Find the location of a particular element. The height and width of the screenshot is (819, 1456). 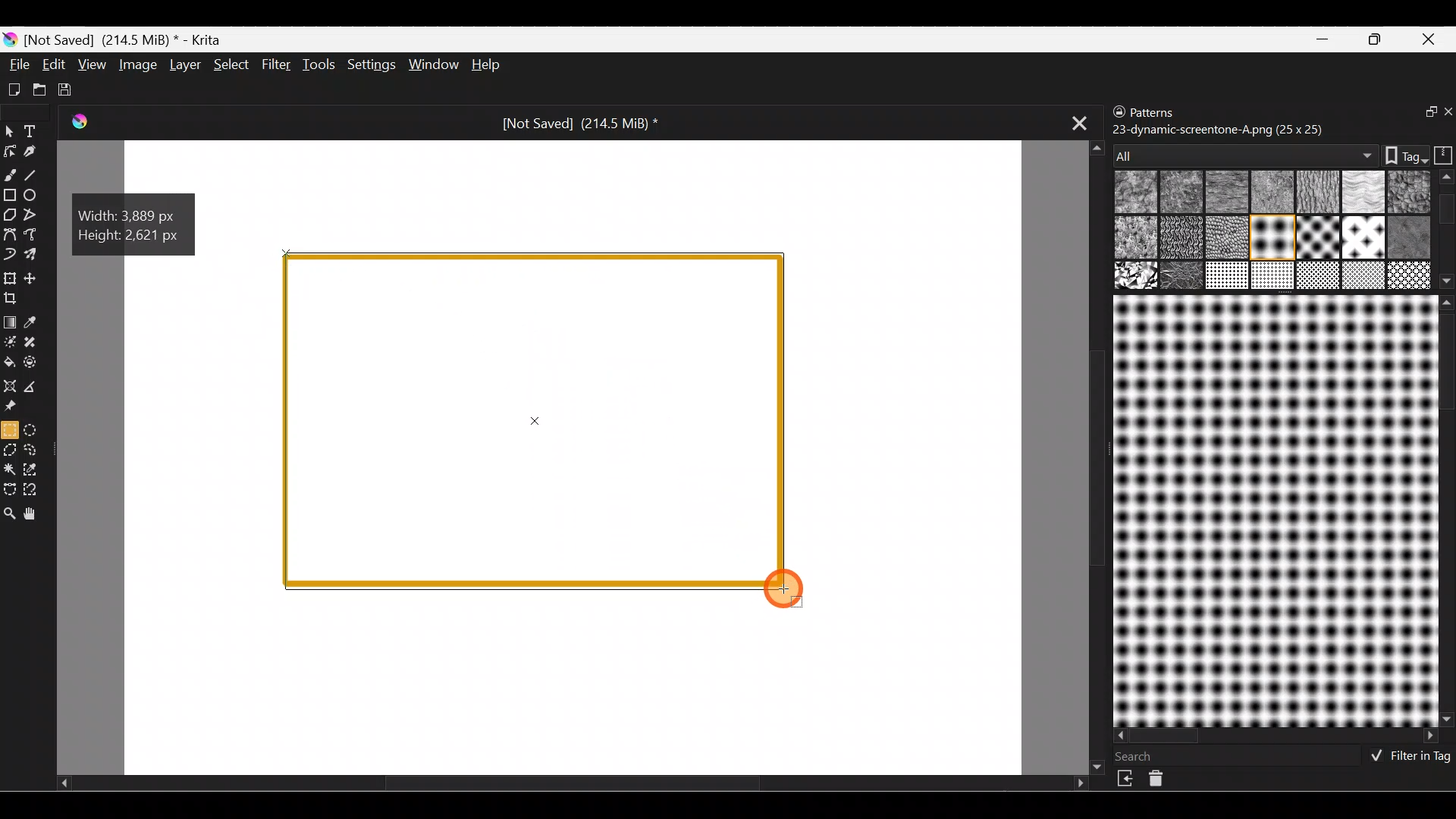

Scroll bar is located at coordinates (1446, 510).